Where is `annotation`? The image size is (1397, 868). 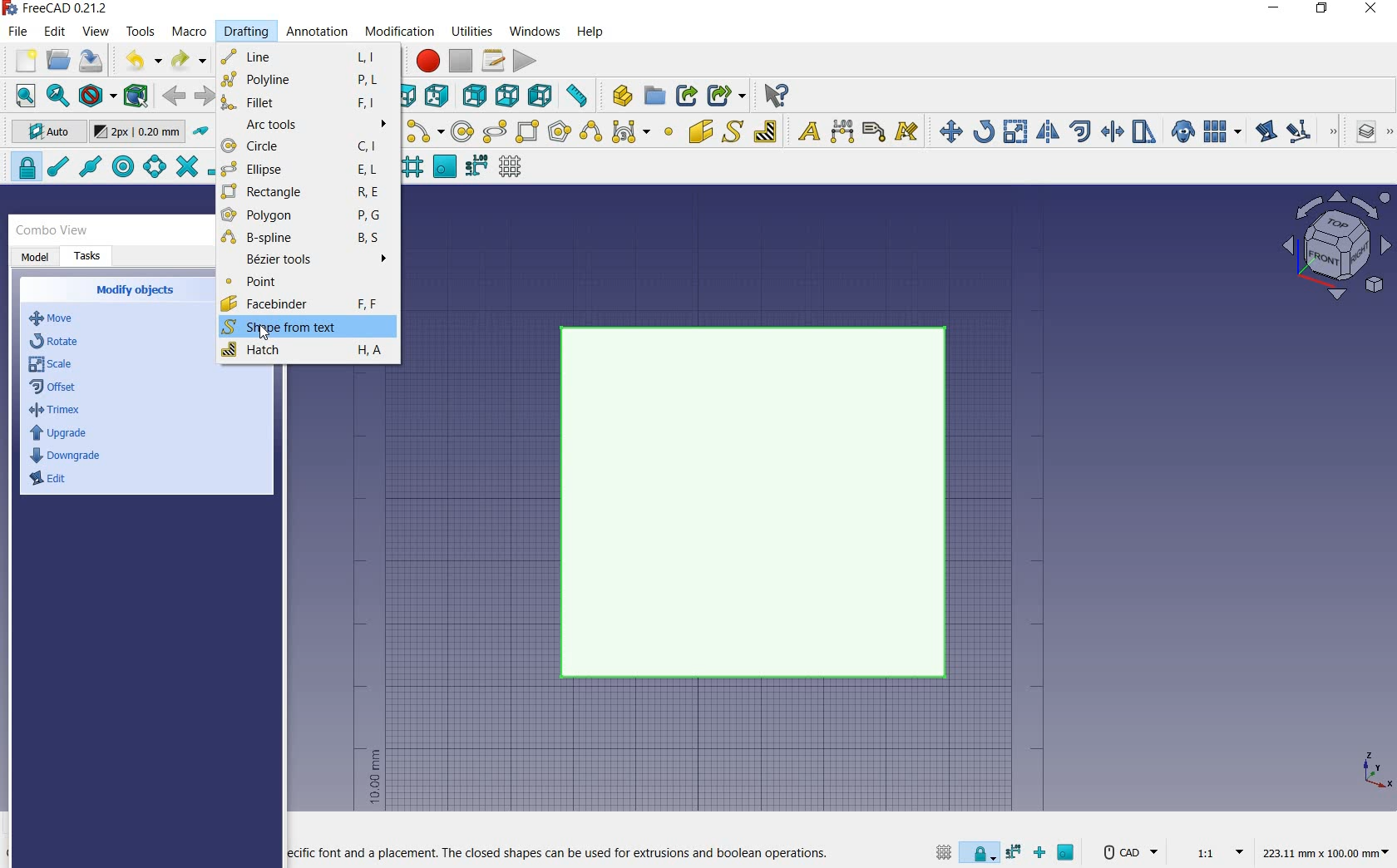
annotation is located at coordinates (318, 33).